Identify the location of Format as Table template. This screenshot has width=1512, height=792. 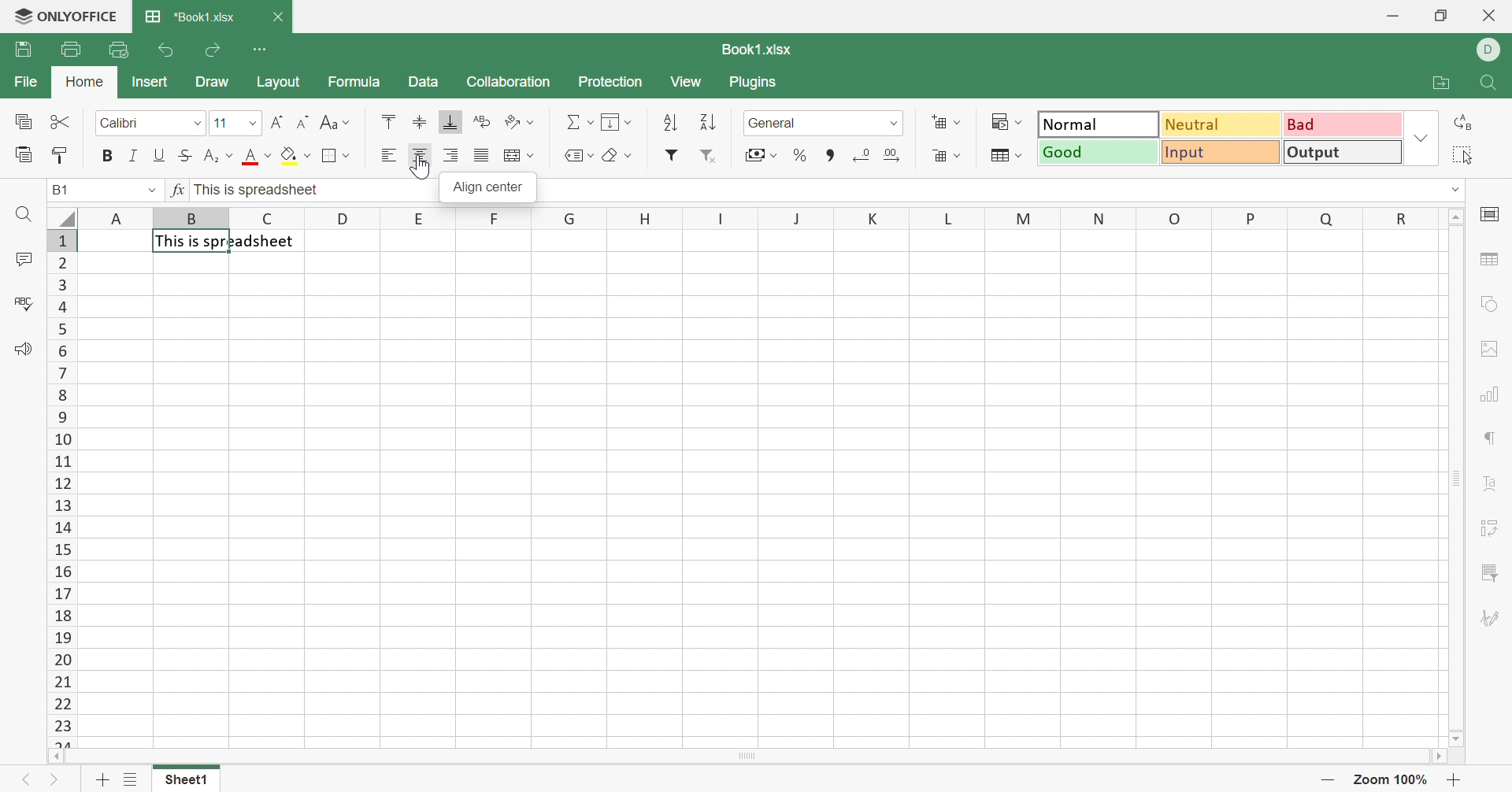
(998, 157).